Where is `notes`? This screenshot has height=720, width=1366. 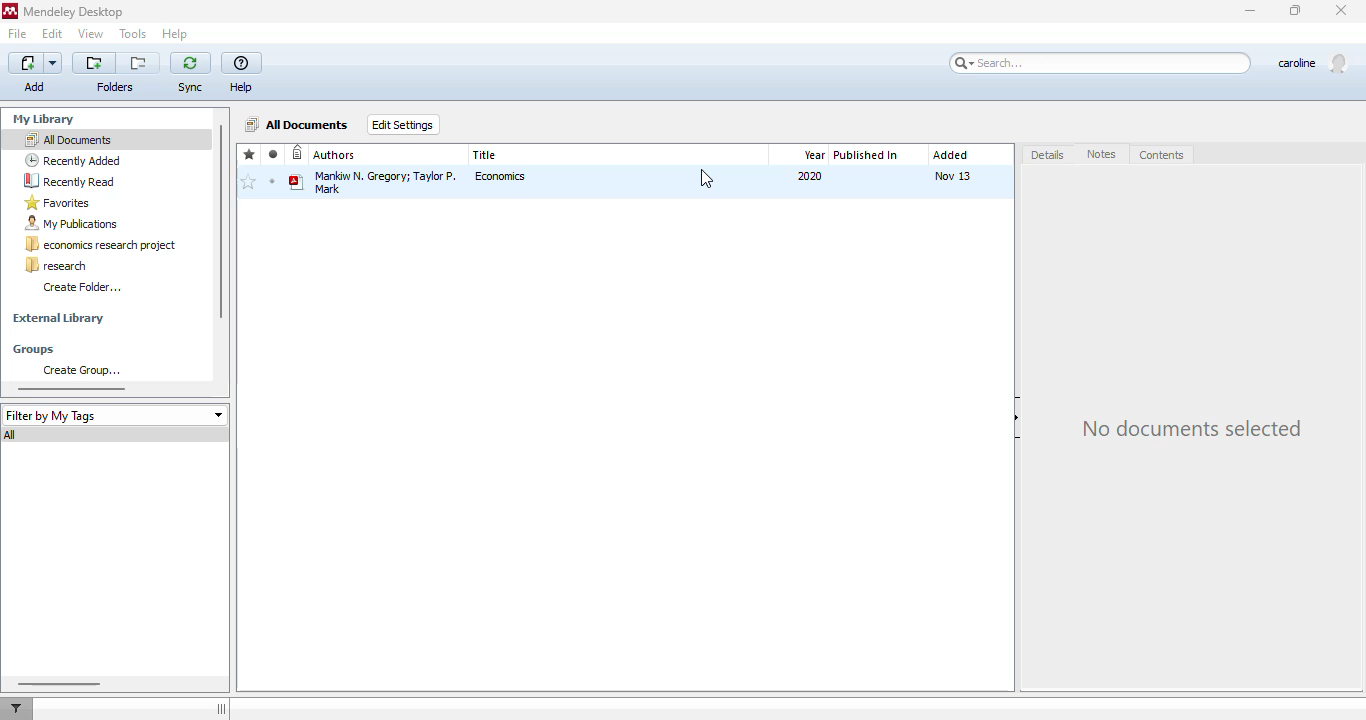
notes is located at coordinates (1103, 155).